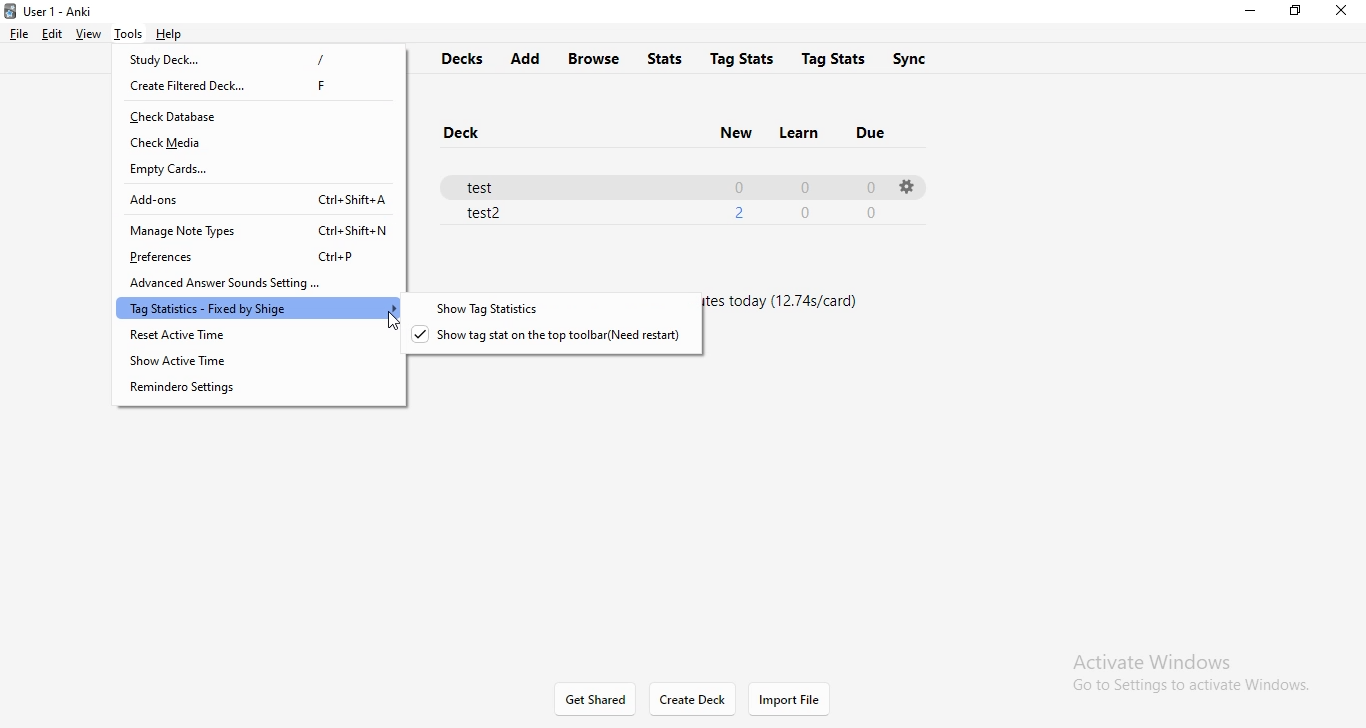  I want to click on preferences, so click(252, 256).